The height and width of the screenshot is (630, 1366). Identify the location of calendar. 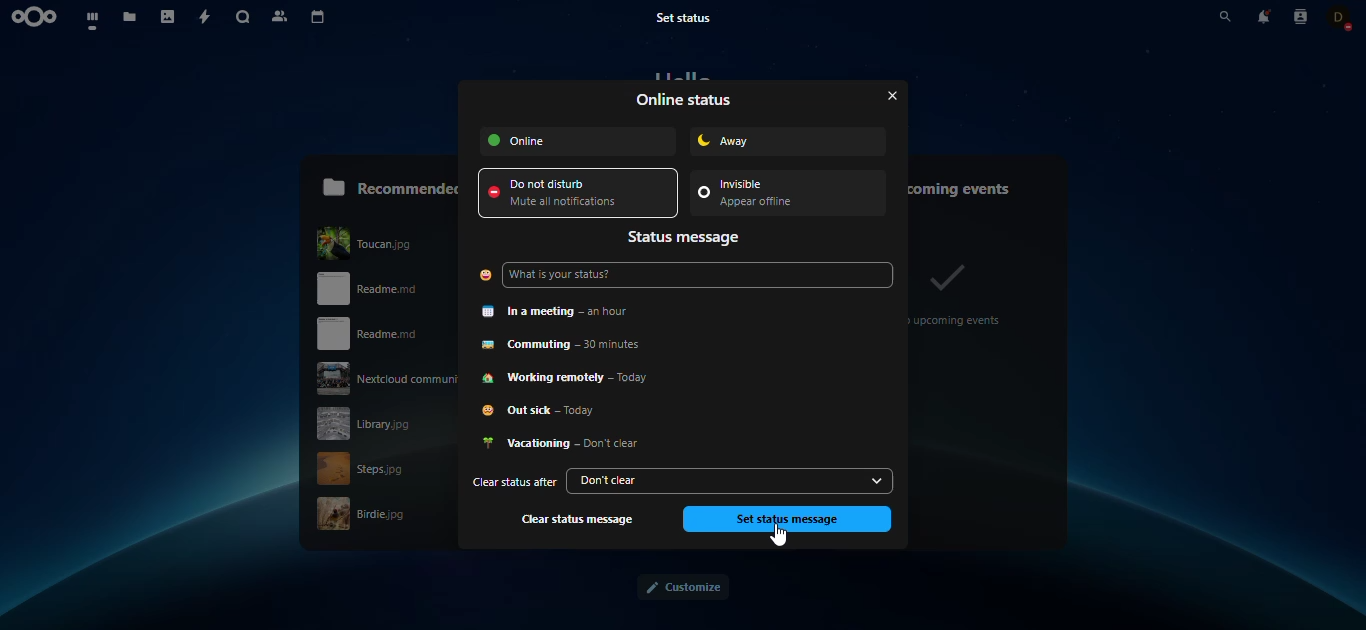
(319, 18).